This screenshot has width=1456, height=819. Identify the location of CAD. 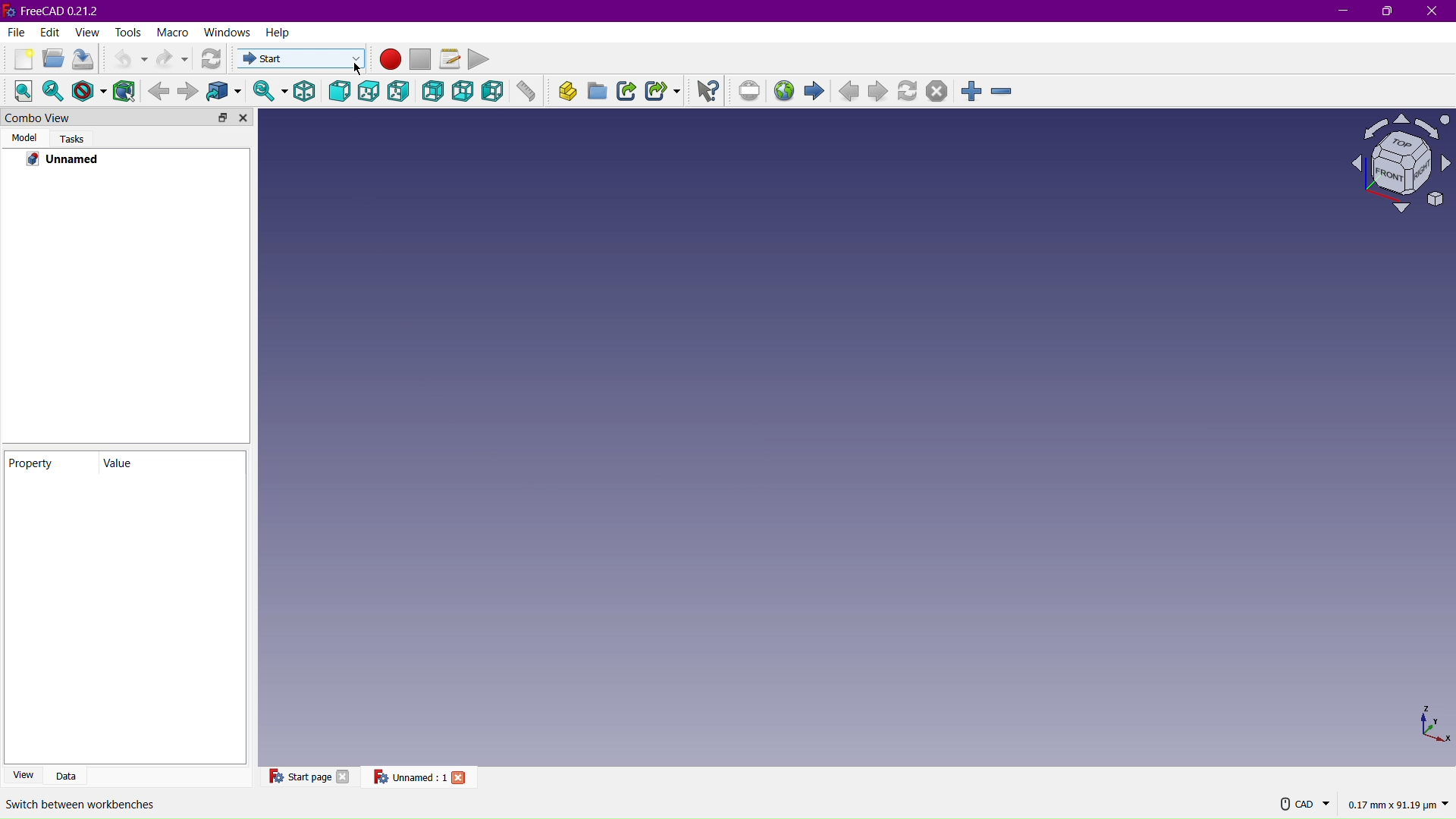
(1305, 803).